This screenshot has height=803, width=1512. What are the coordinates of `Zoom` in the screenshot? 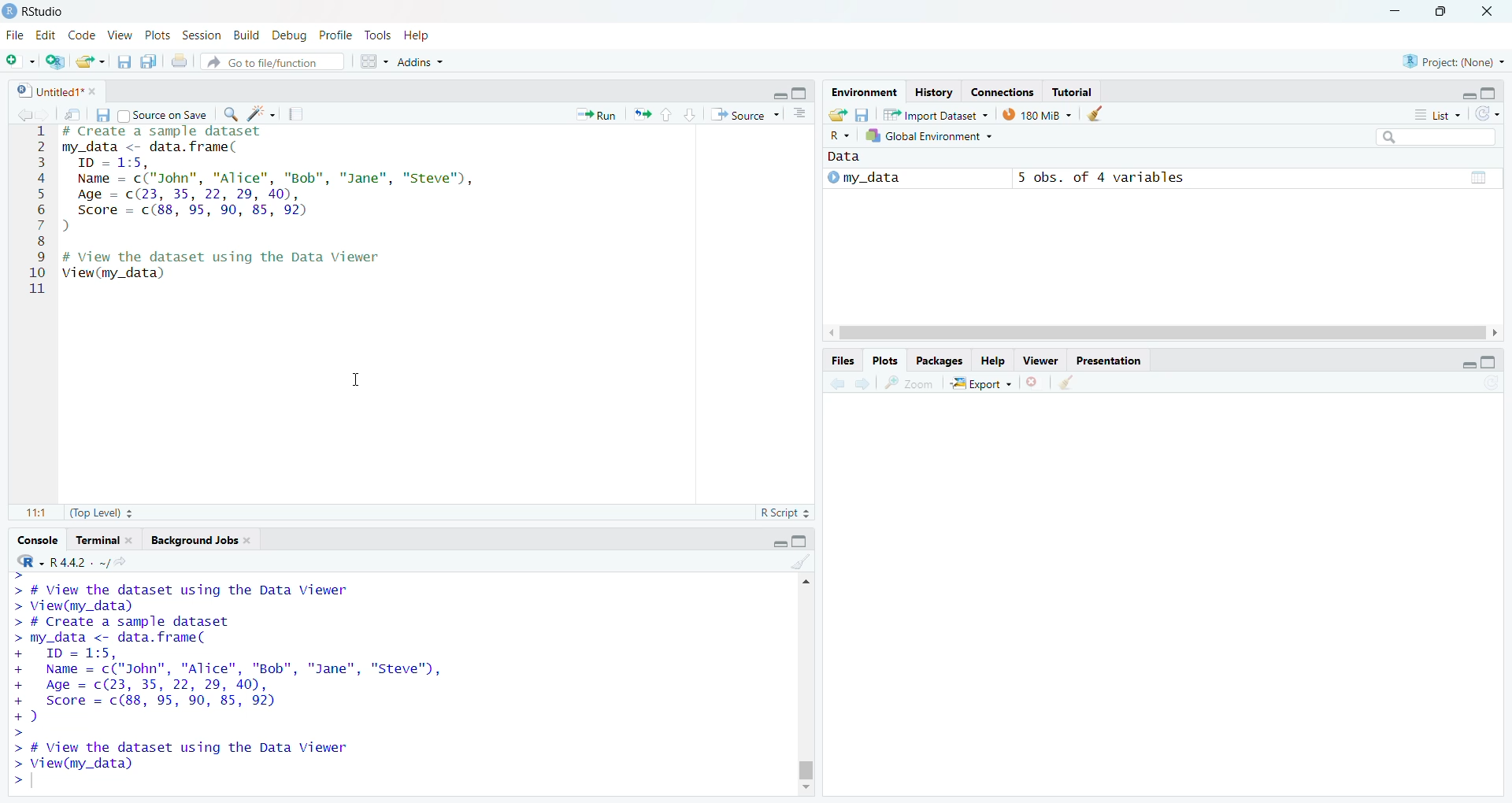 It's located at (232, 114).